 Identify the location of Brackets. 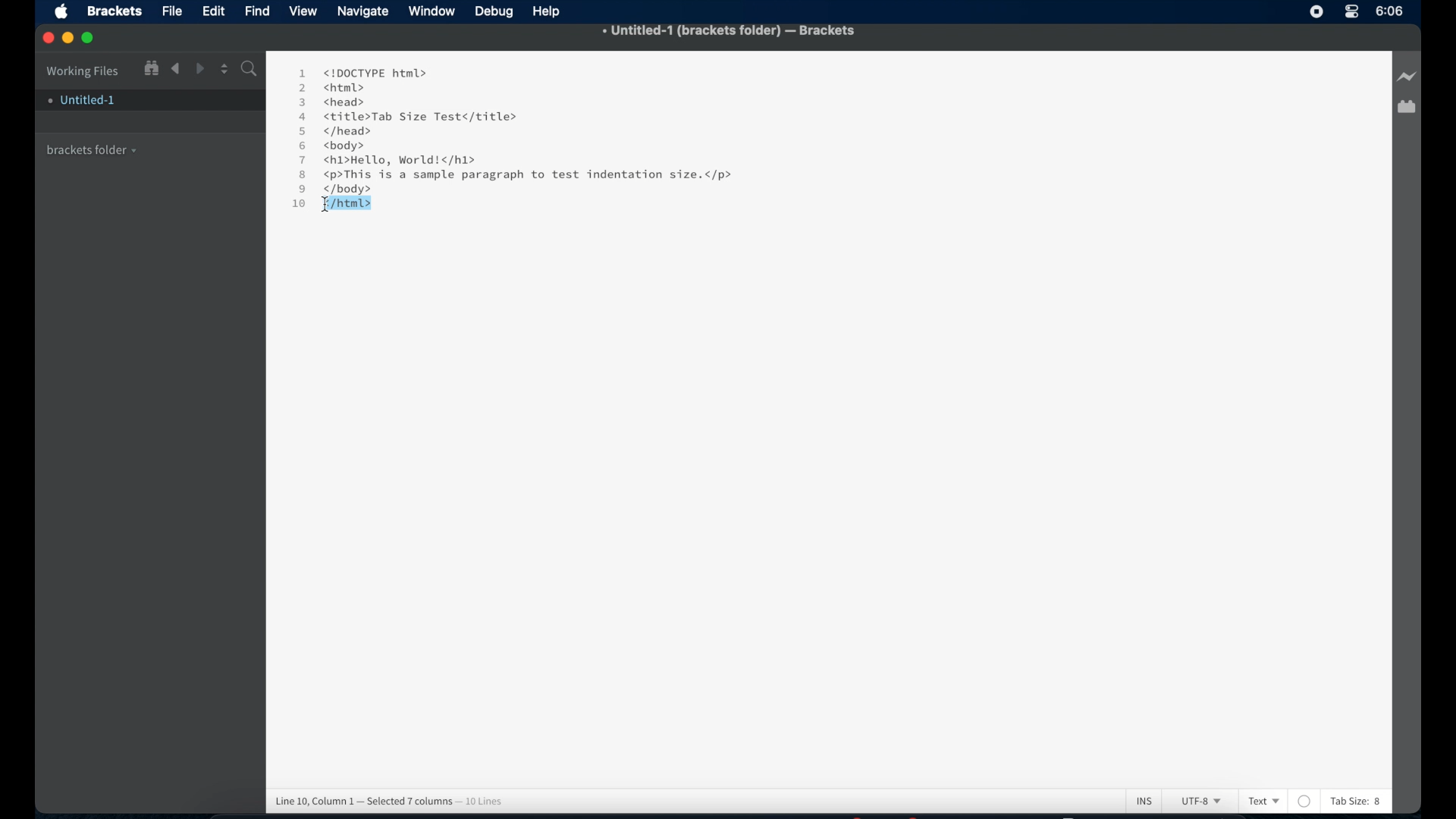
(113, 10).